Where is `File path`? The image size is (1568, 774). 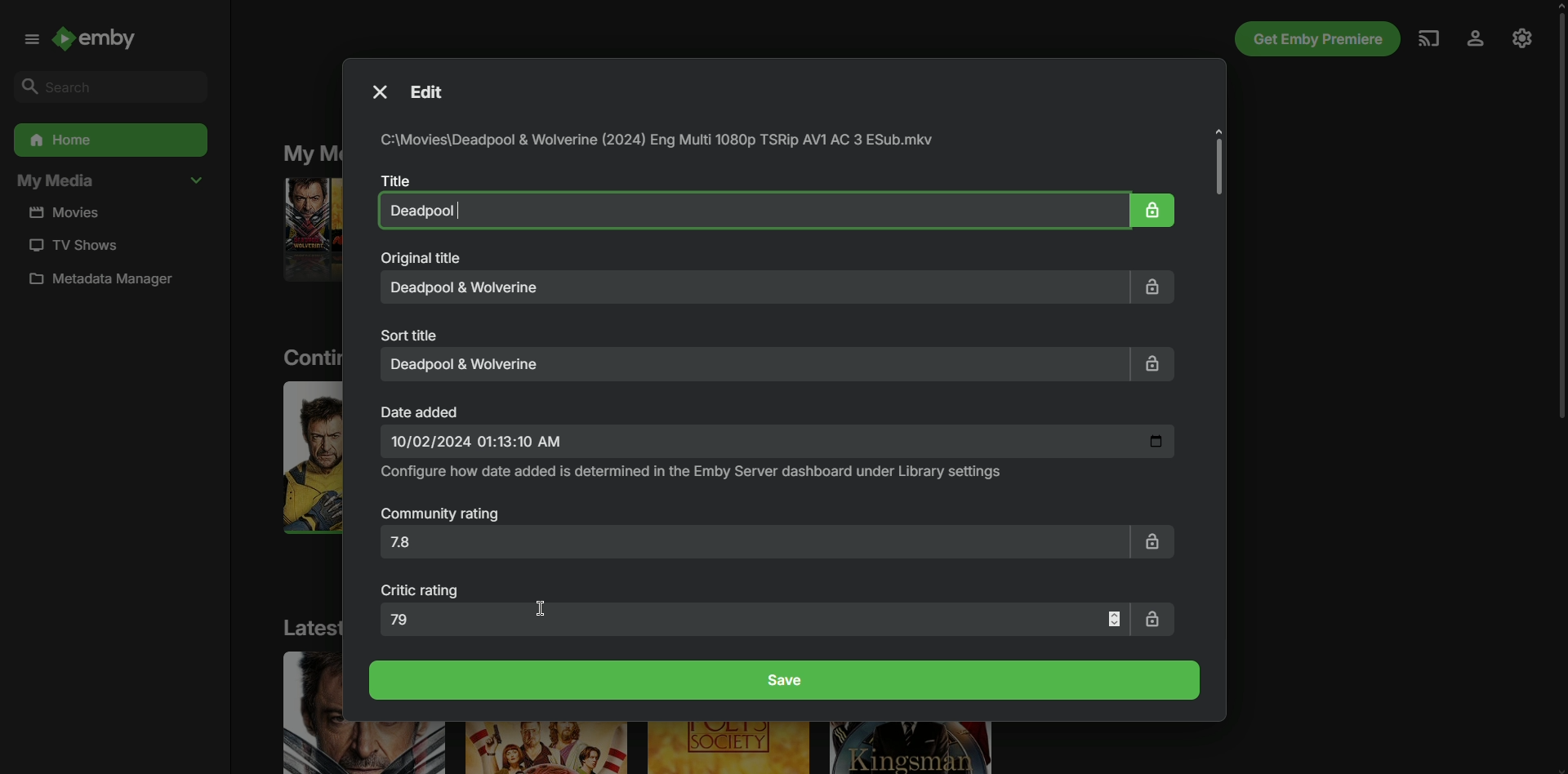
File path is located at coordinates (663, 141).